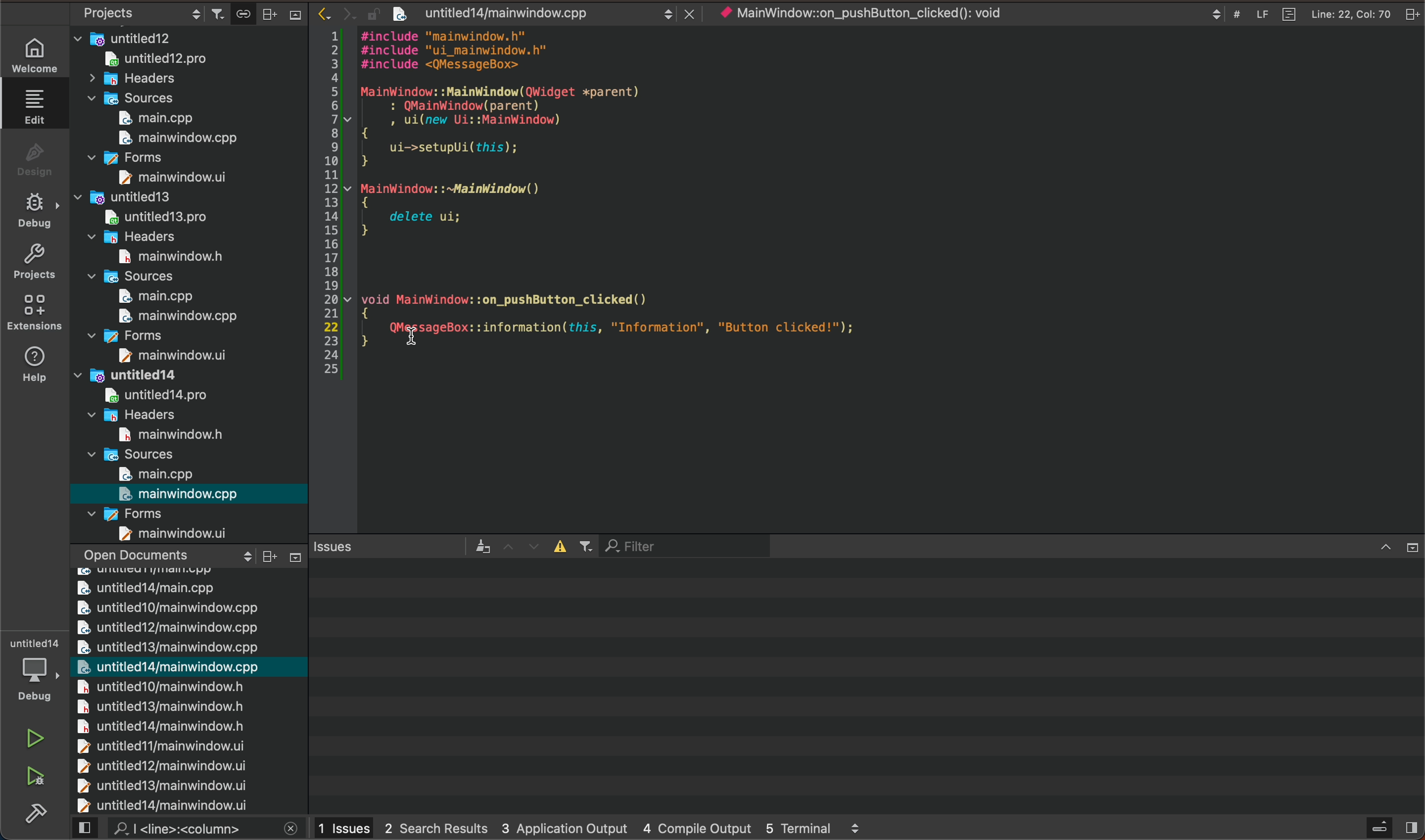 The width and height of the screenshot is (1425, 840). I want to click on untitled12.pro, so click(180, 60).